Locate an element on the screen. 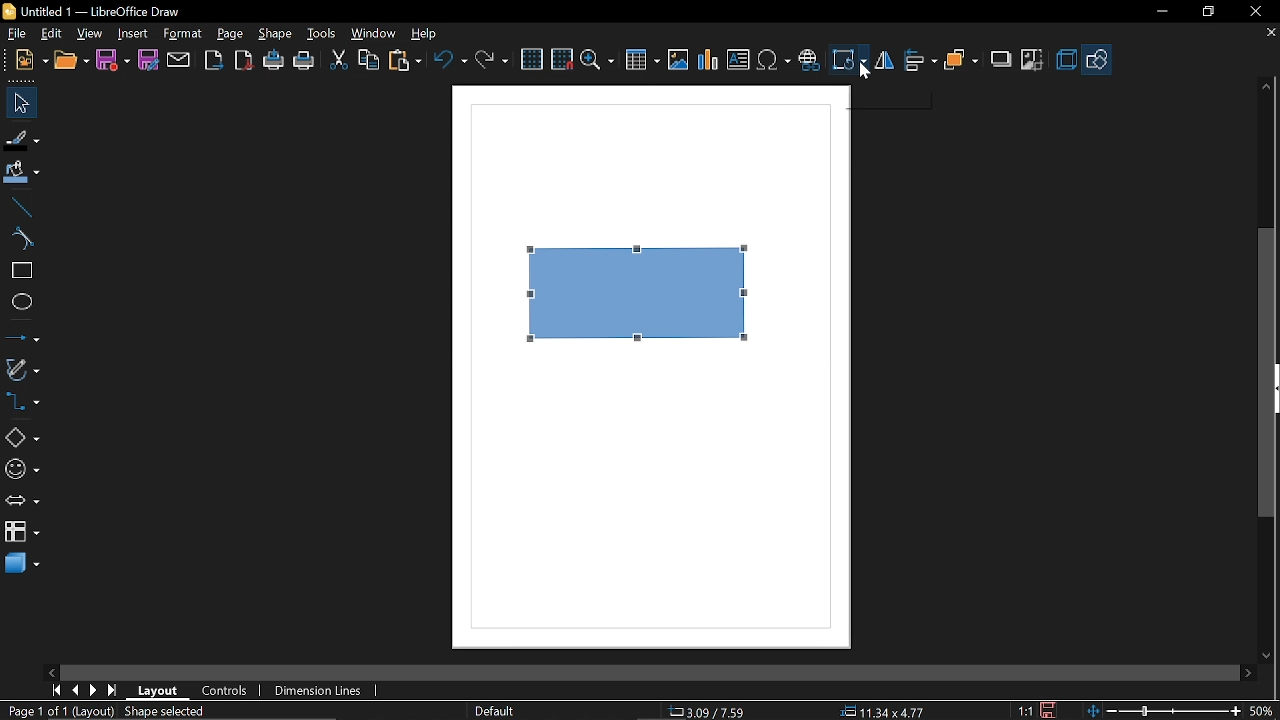 The image size is (1280, 720). Grid is located at coordinates (533, 60).